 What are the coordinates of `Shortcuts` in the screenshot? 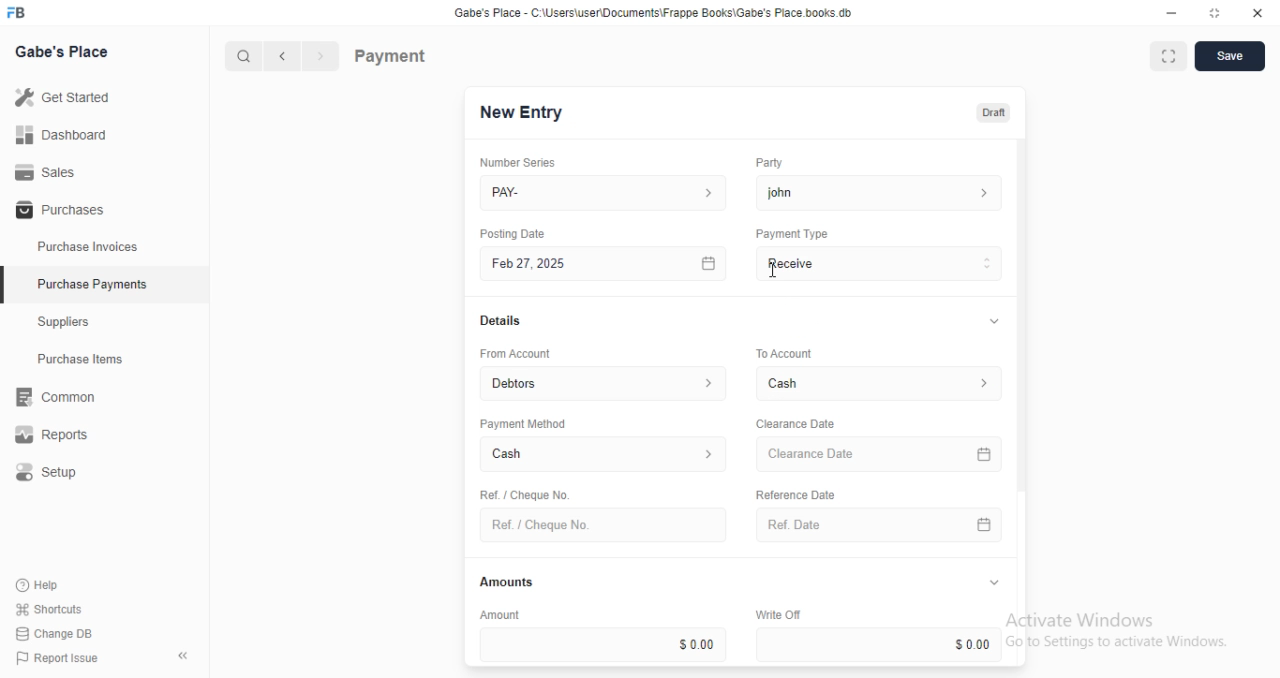 It's located at (47, 610).